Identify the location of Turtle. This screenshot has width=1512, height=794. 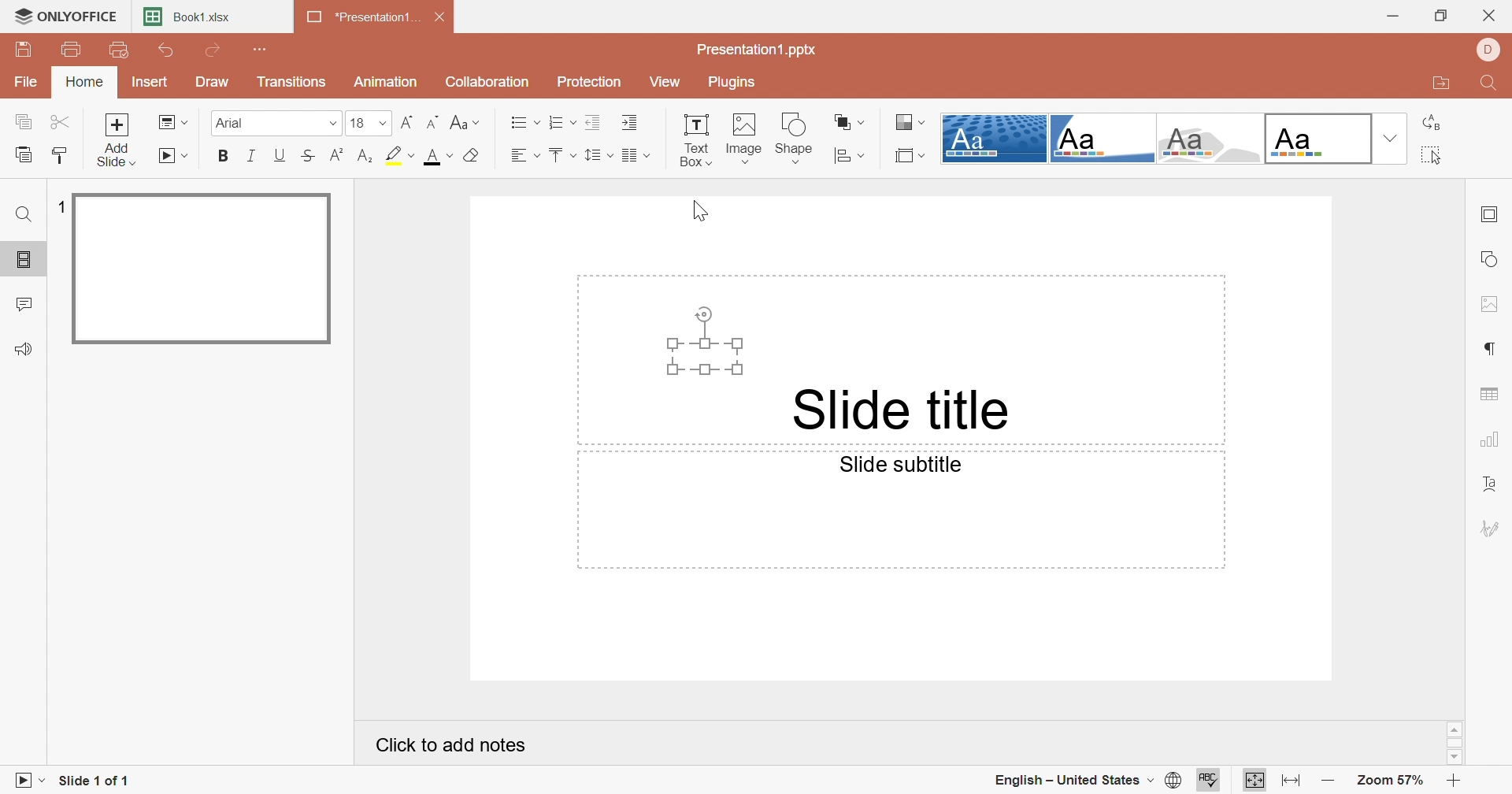
(1208, 139).